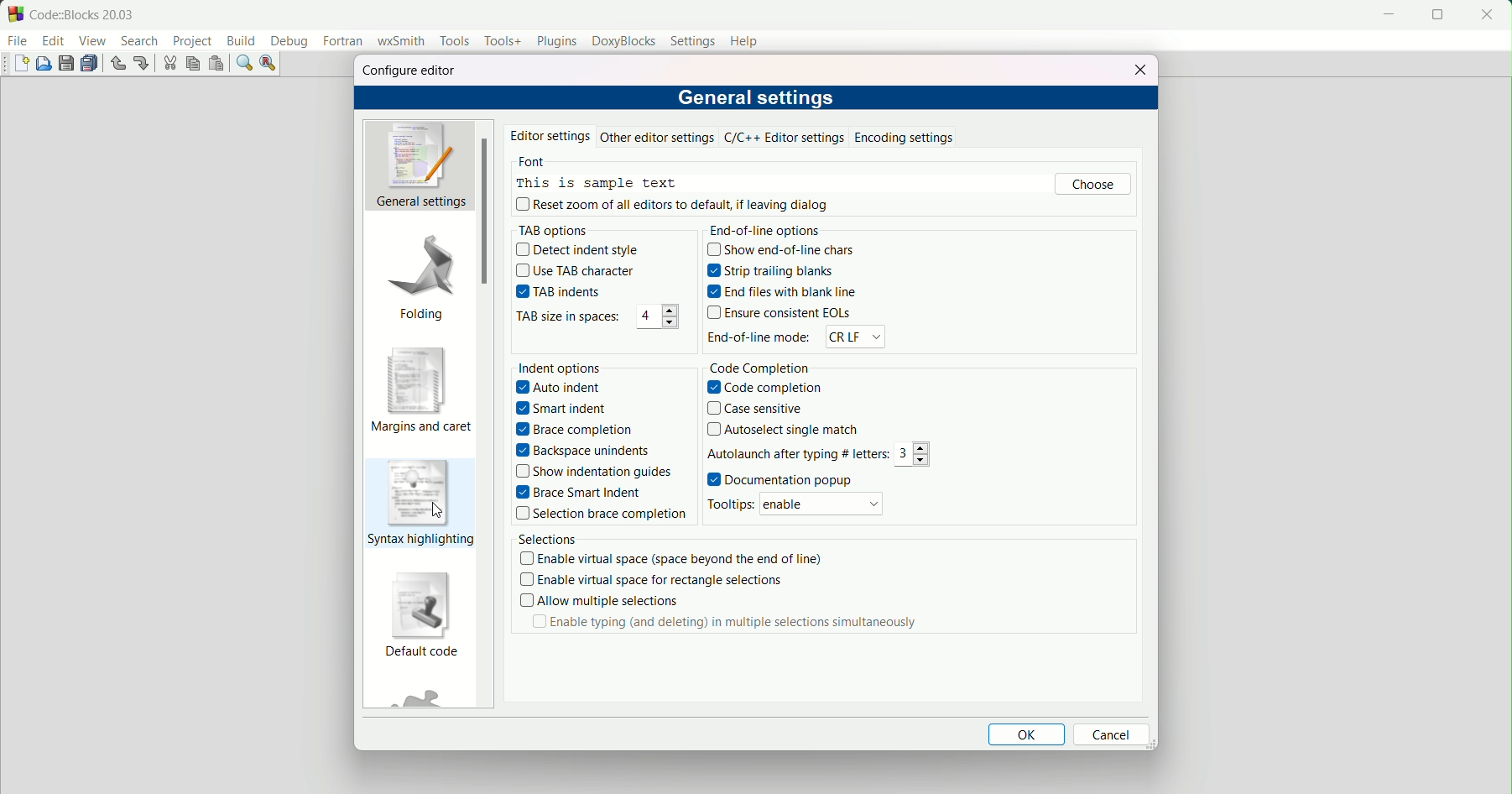  Describe the element at coordinates (420, 503) in the screenshot. I see `syntax highlighting` at that location.